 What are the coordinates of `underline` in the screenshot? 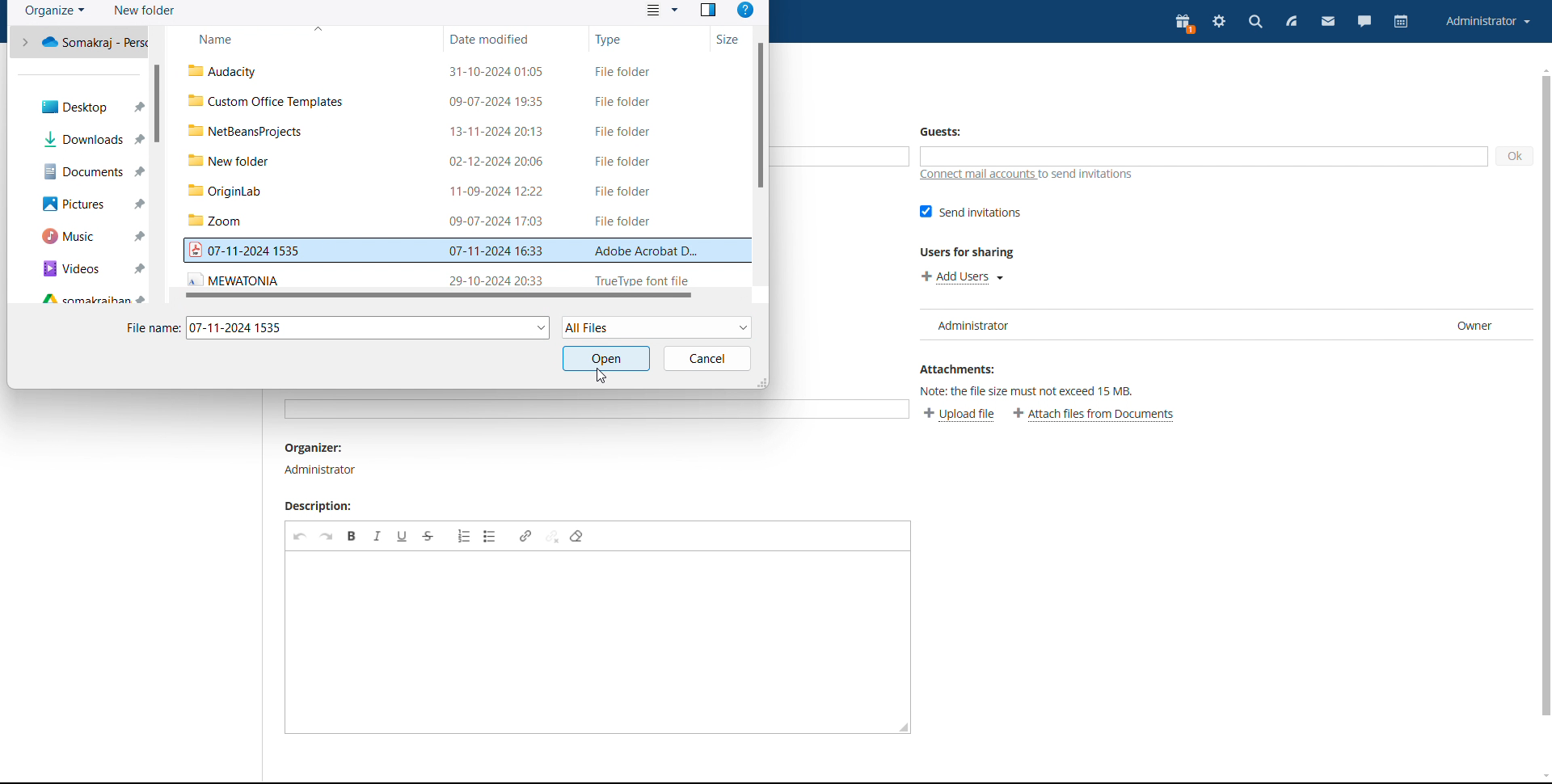 It's located at (403, 536).